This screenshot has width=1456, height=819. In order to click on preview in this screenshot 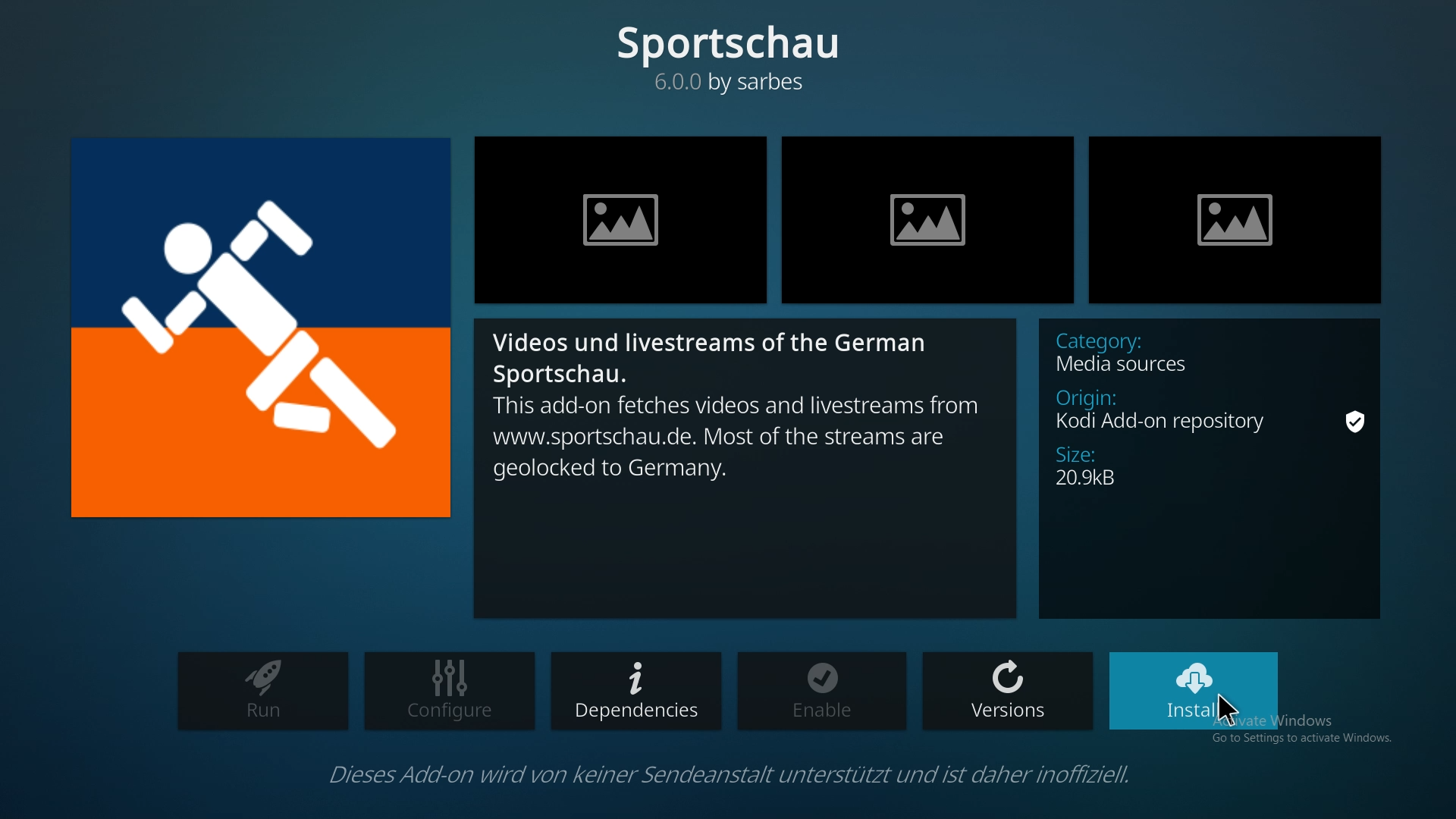, I will do `click(1235, 217)`.